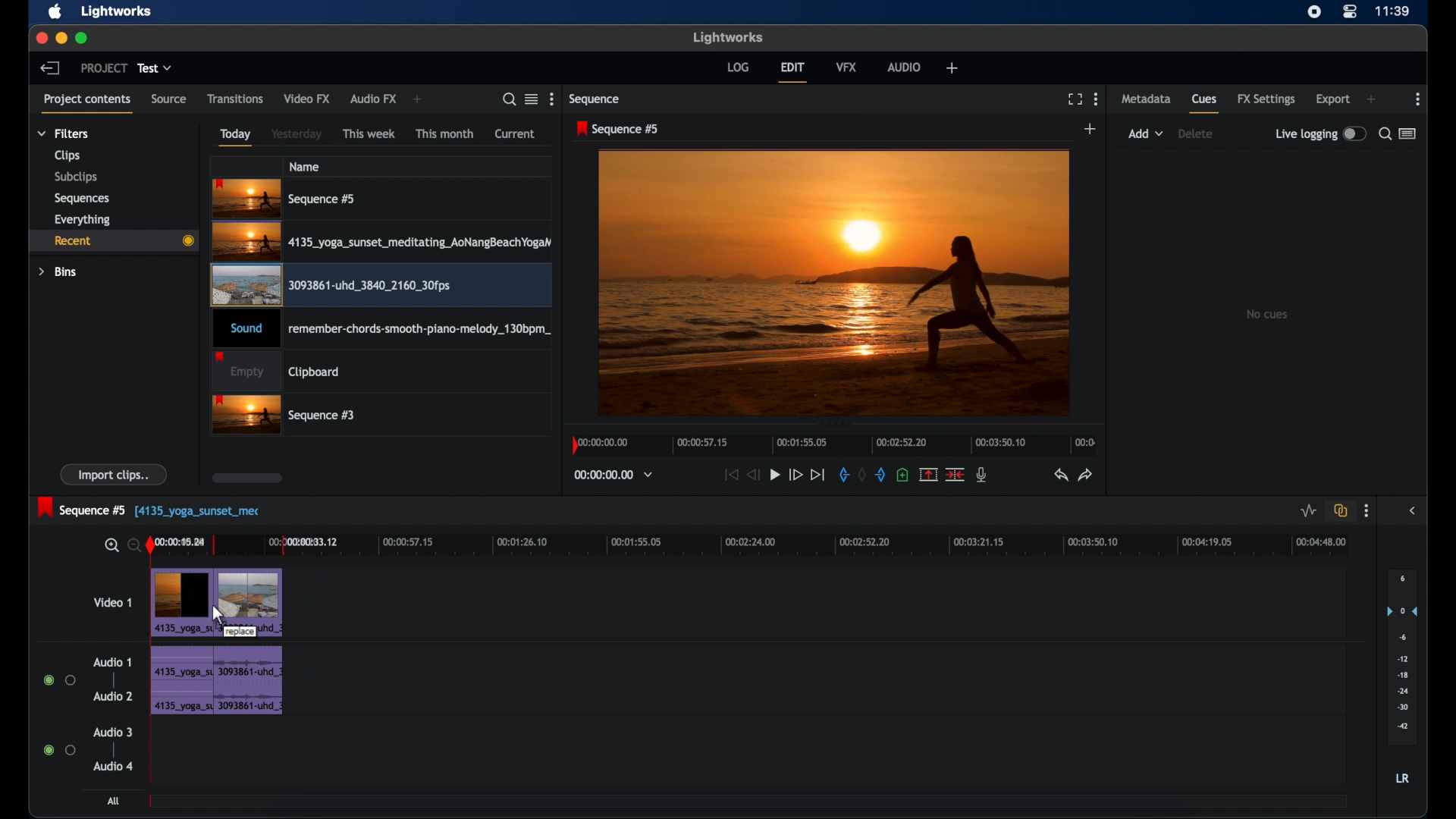  I want to click on cues, so click(1205, 104).